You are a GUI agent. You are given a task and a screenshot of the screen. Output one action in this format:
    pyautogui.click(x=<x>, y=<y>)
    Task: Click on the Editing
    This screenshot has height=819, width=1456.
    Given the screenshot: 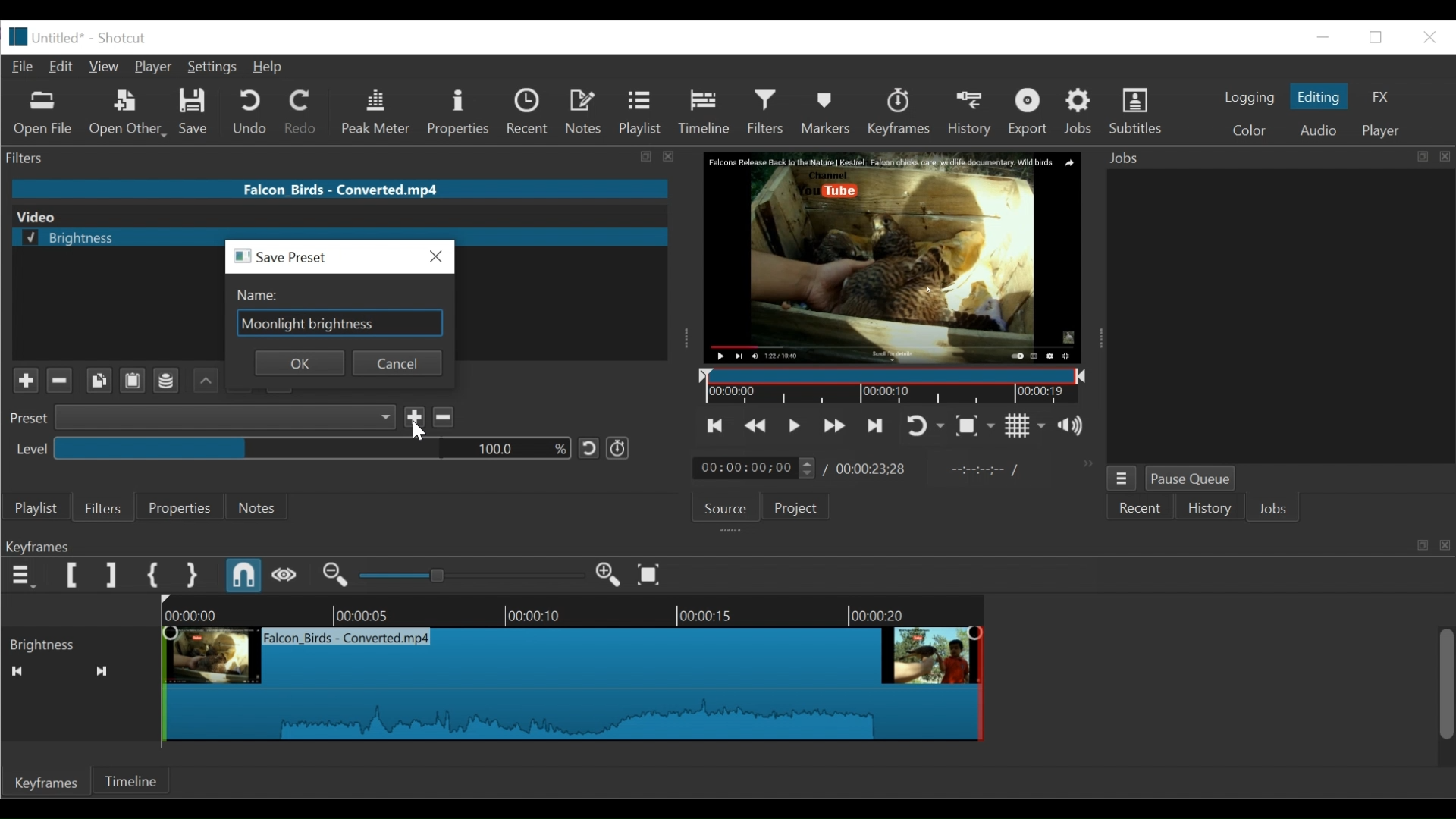 What is the action you would take?
    pyautogui.click(x=1320, y=96)
    